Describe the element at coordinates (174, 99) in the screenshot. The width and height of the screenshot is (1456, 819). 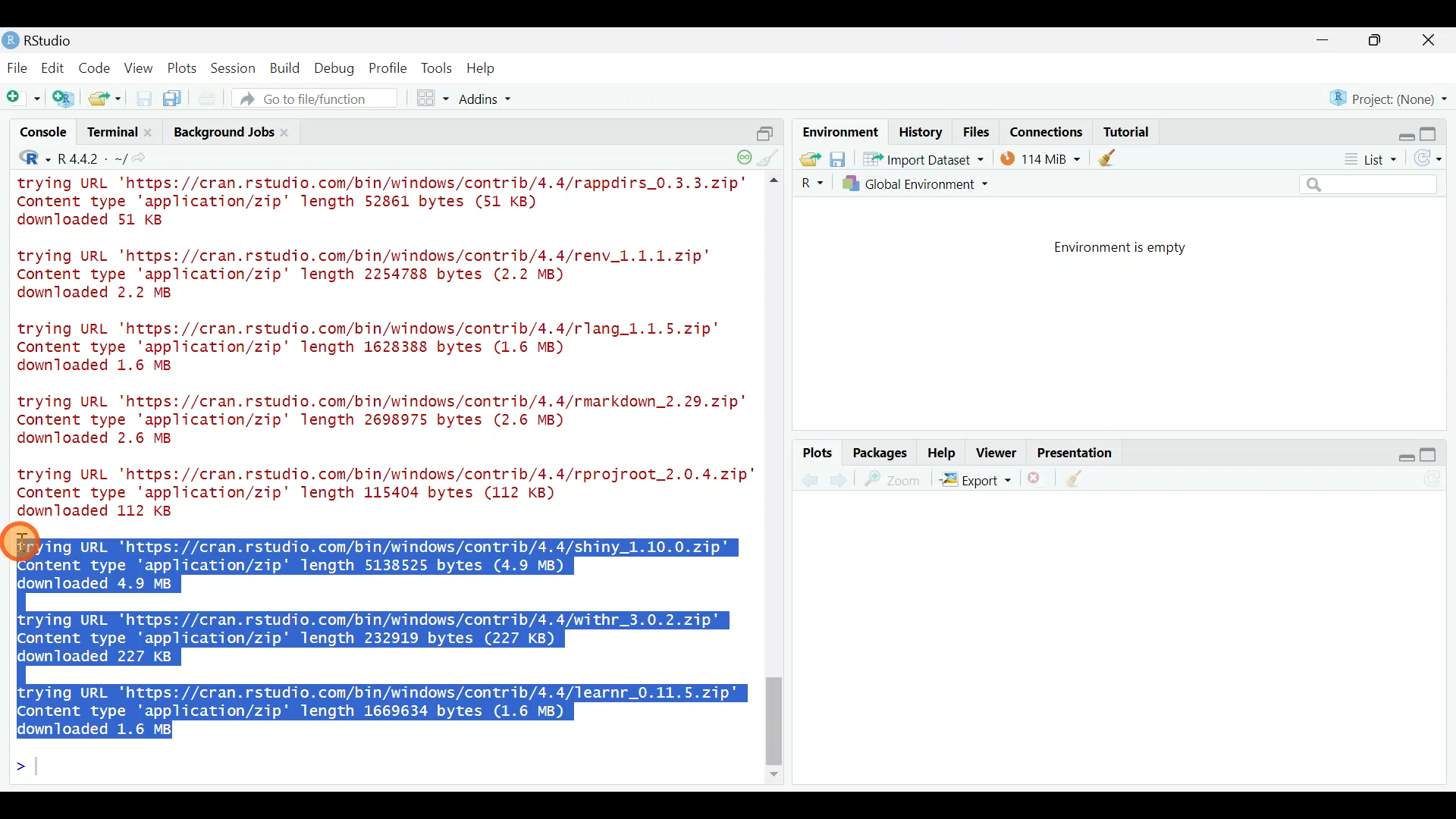
I see `Save all open documents` at that location.